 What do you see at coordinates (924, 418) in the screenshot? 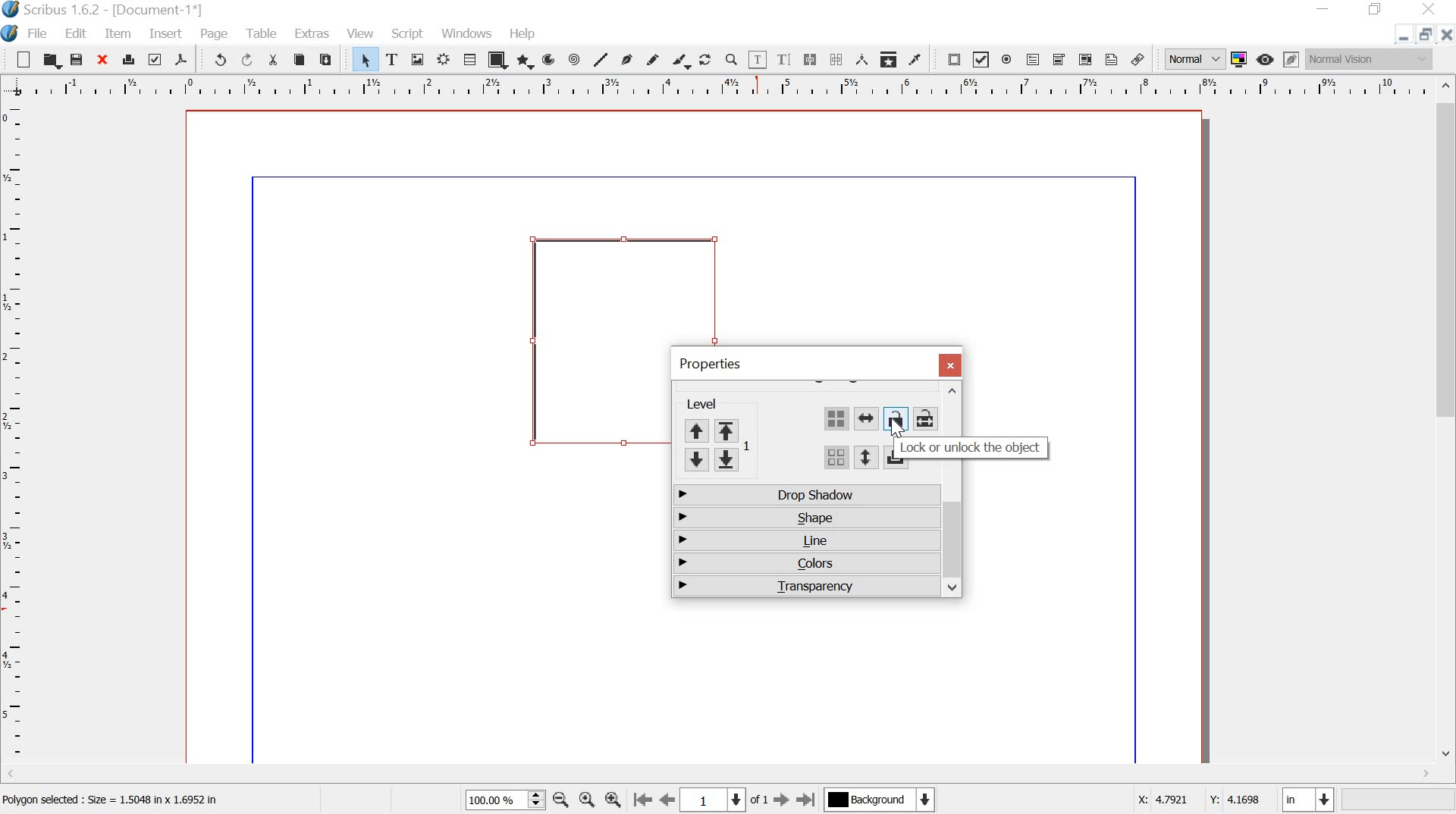
I see `lock or unlock the size of the object` at bounding box center [924, 418].